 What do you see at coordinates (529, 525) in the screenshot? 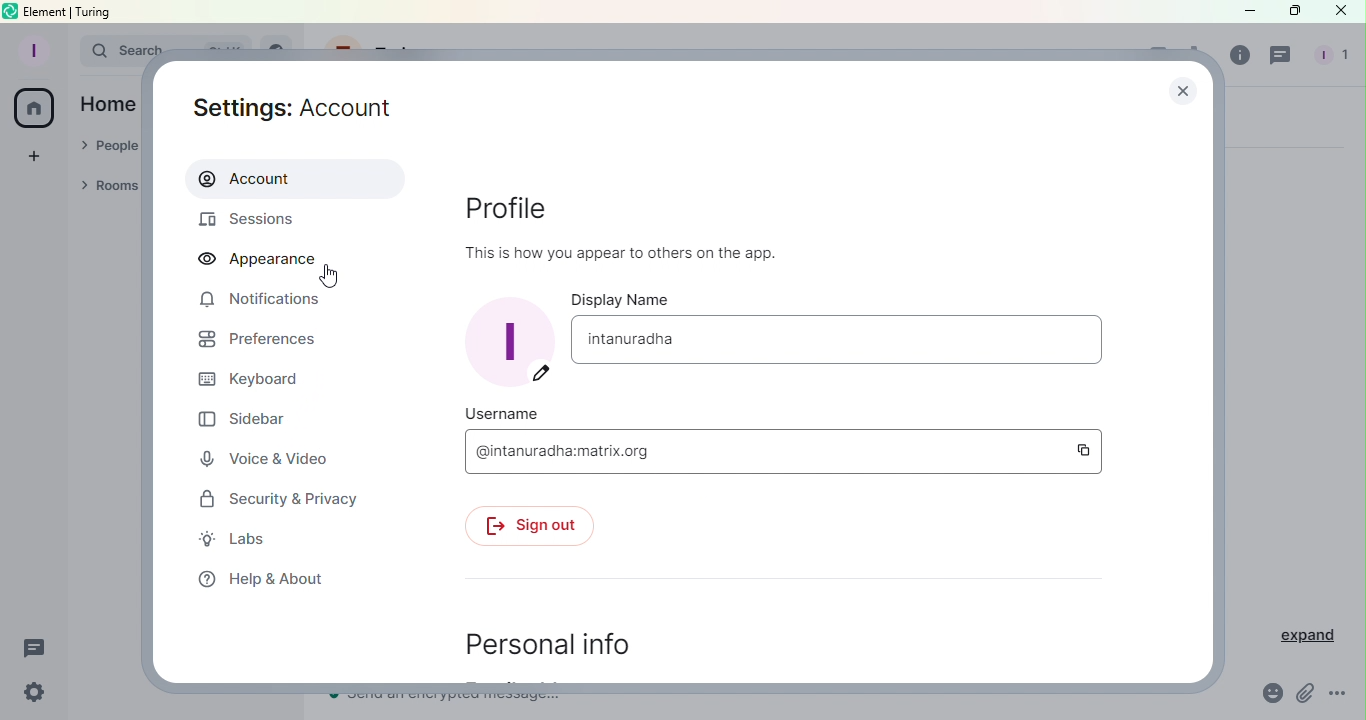
I see `Sign out` at bounding box center [529, 525].